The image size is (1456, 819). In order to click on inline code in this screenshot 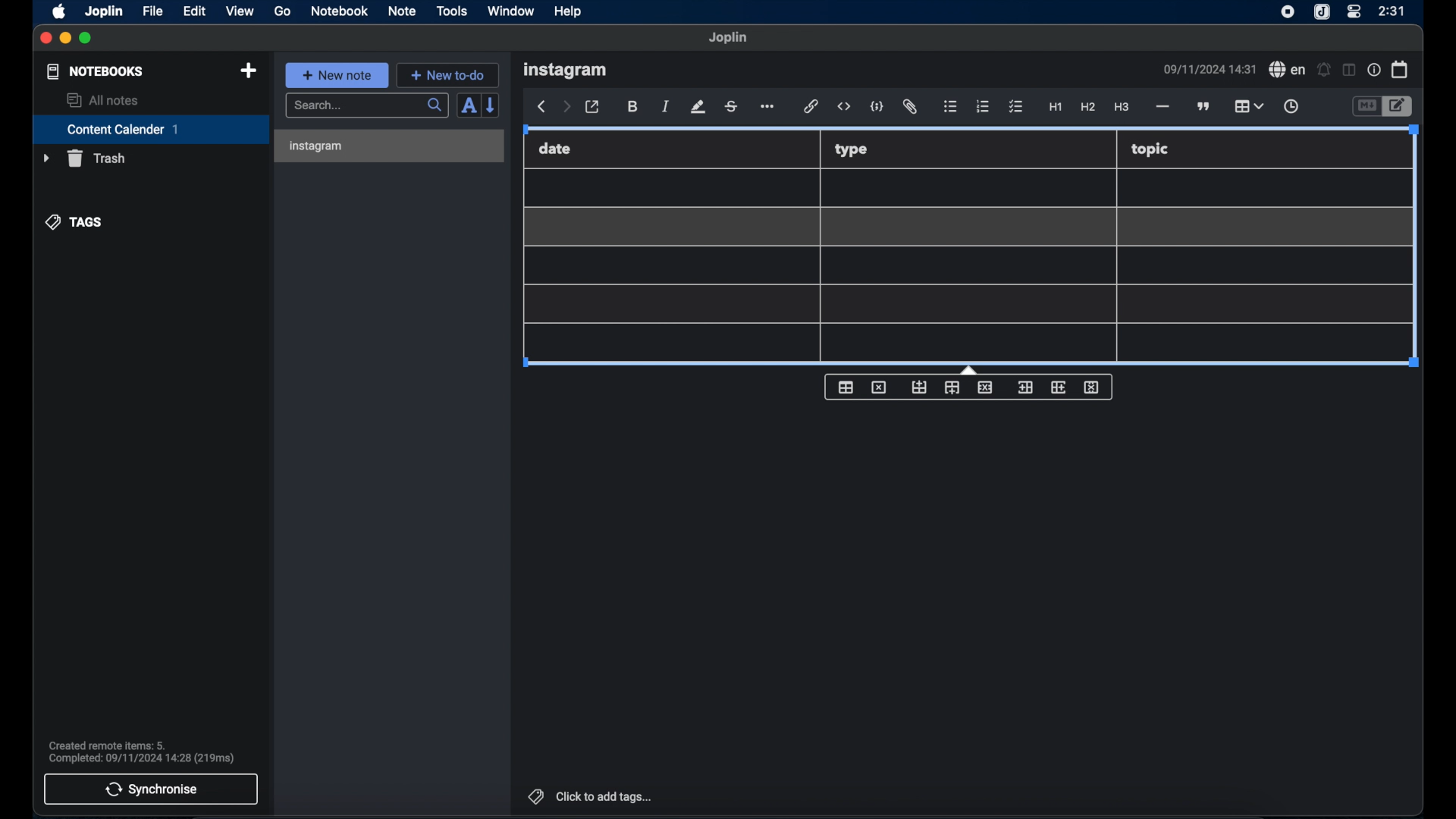, I will do `click(844, 107)`.